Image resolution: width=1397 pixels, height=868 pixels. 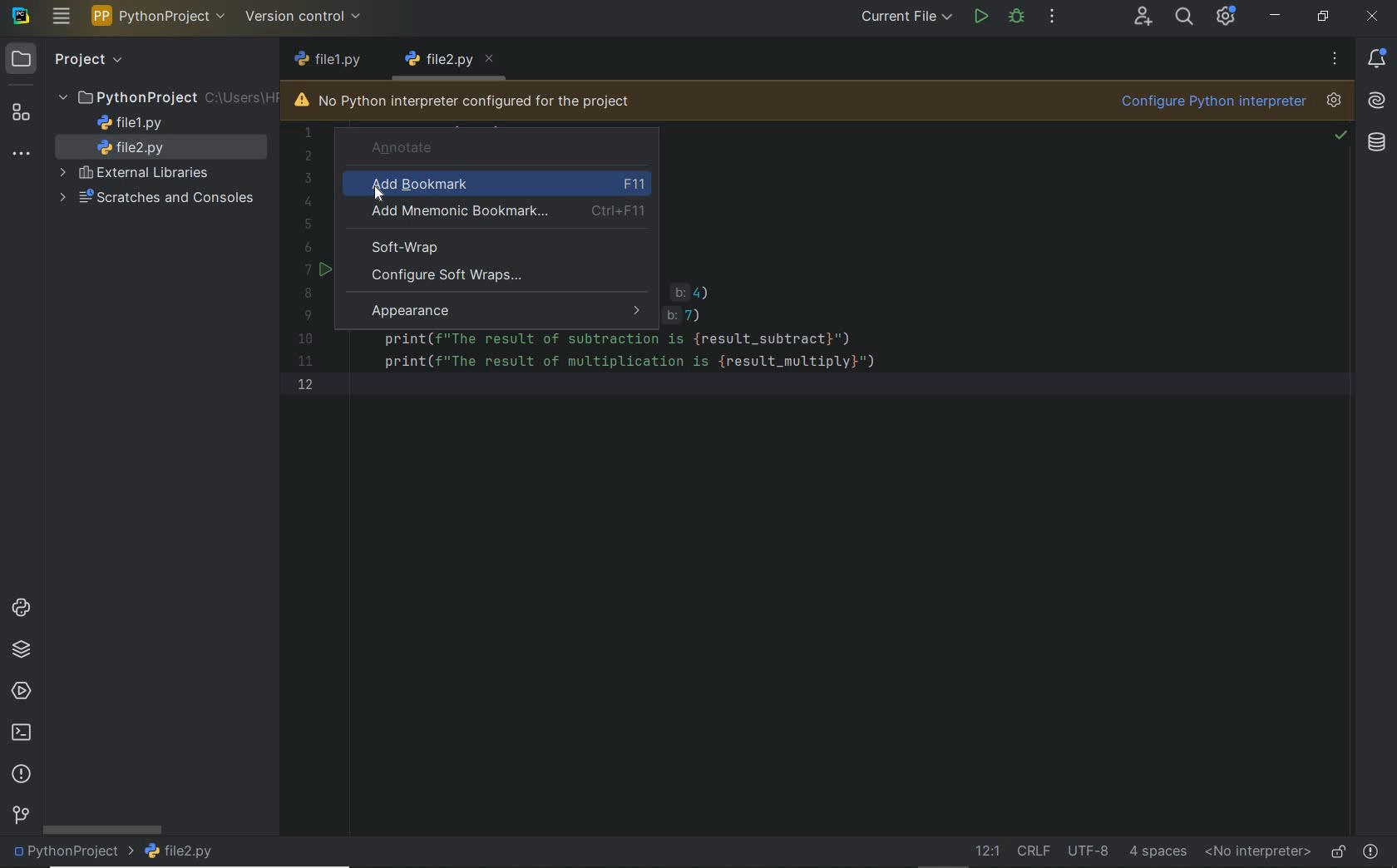 What do you see at coordinates (508, 276) in the screenshot?
I see `configure soft wraps` at bounding box center [508, 276].